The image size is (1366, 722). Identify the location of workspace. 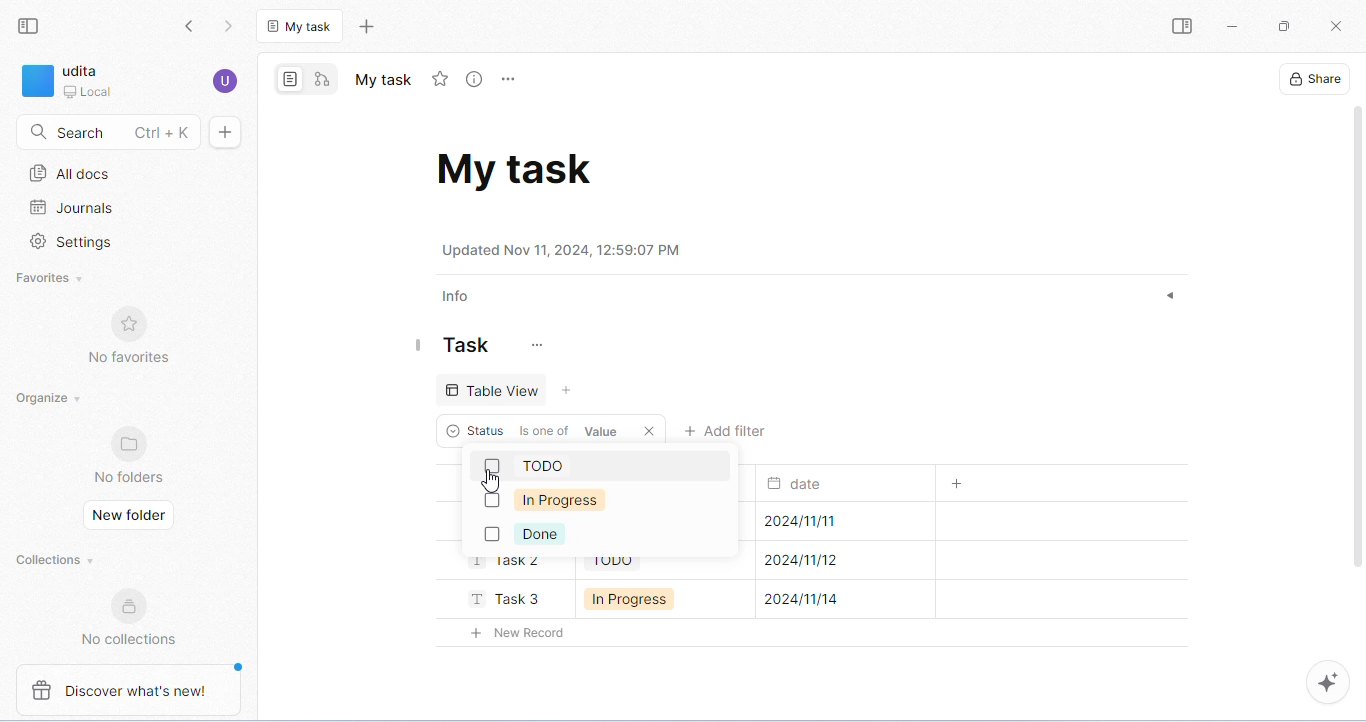
(67, 83).